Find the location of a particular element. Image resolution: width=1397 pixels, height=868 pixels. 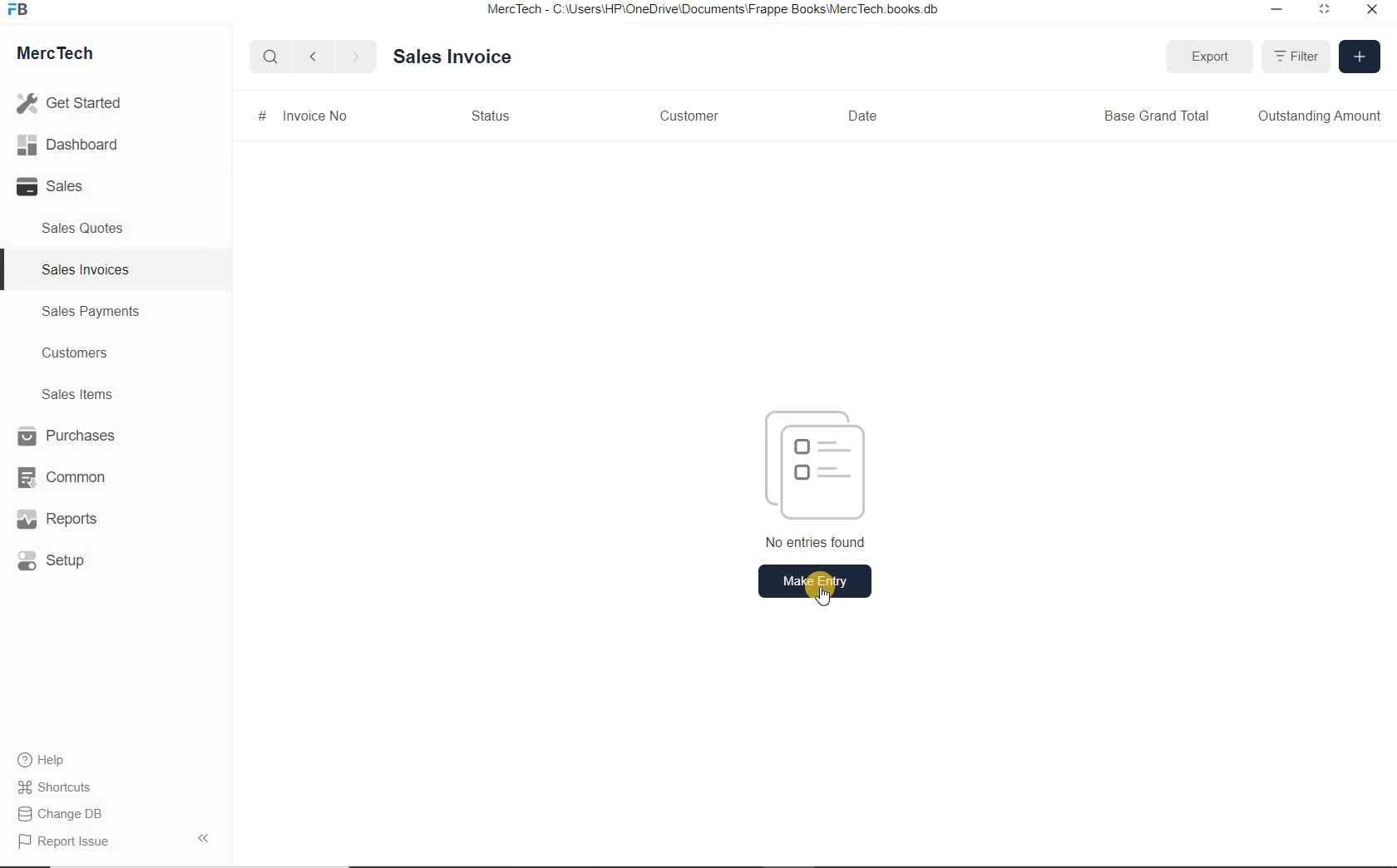

Purchases is located at coordinates (69, 437).